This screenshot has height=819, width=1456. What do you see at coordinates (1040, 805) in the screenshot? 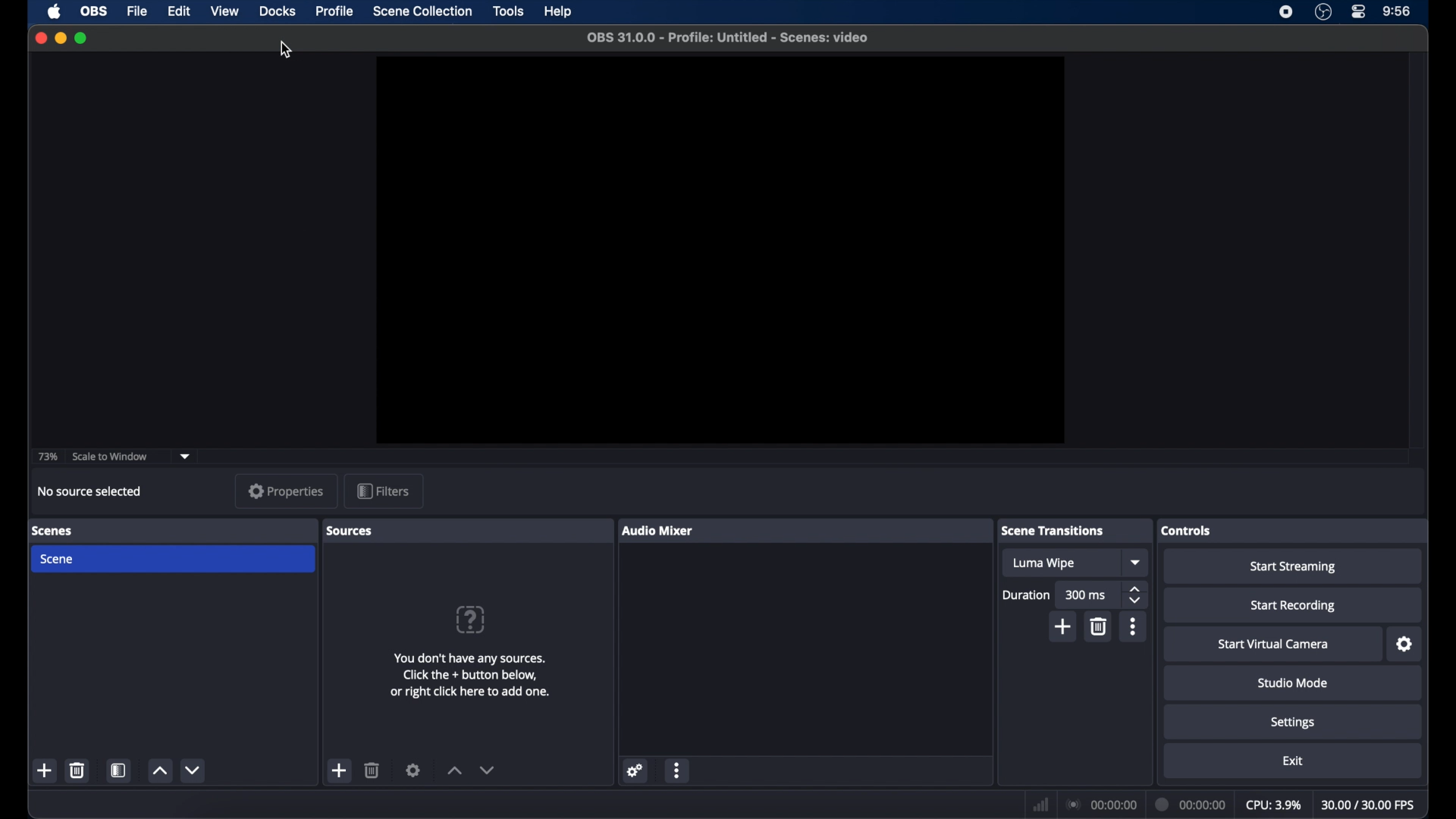
I see `network` at bounding box center [1040, 805].